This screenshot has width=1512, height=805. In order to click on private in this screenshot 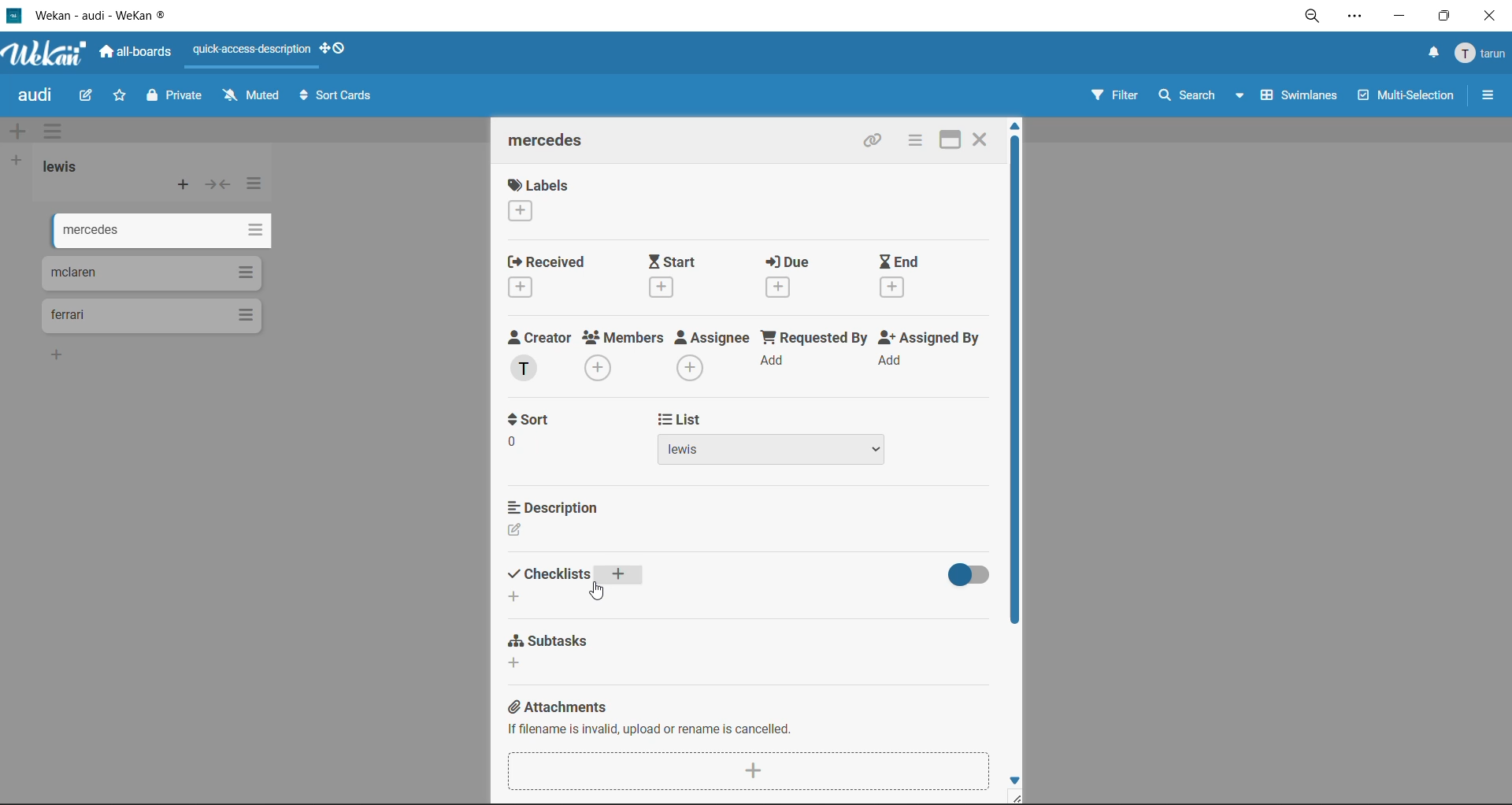, I will do `click(176, 98)`.